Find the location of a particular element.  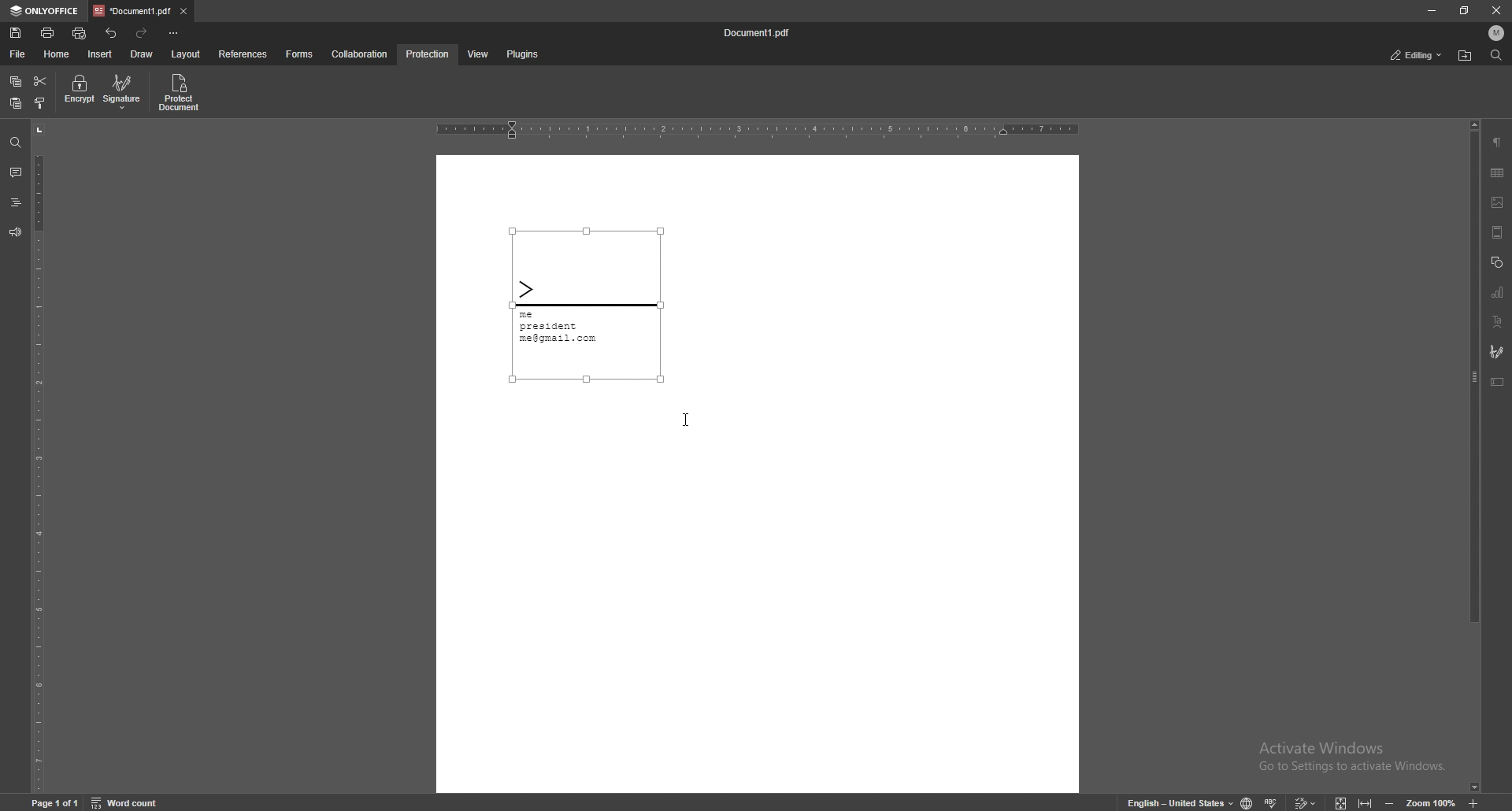

comment is located at coordinates (13, 172).